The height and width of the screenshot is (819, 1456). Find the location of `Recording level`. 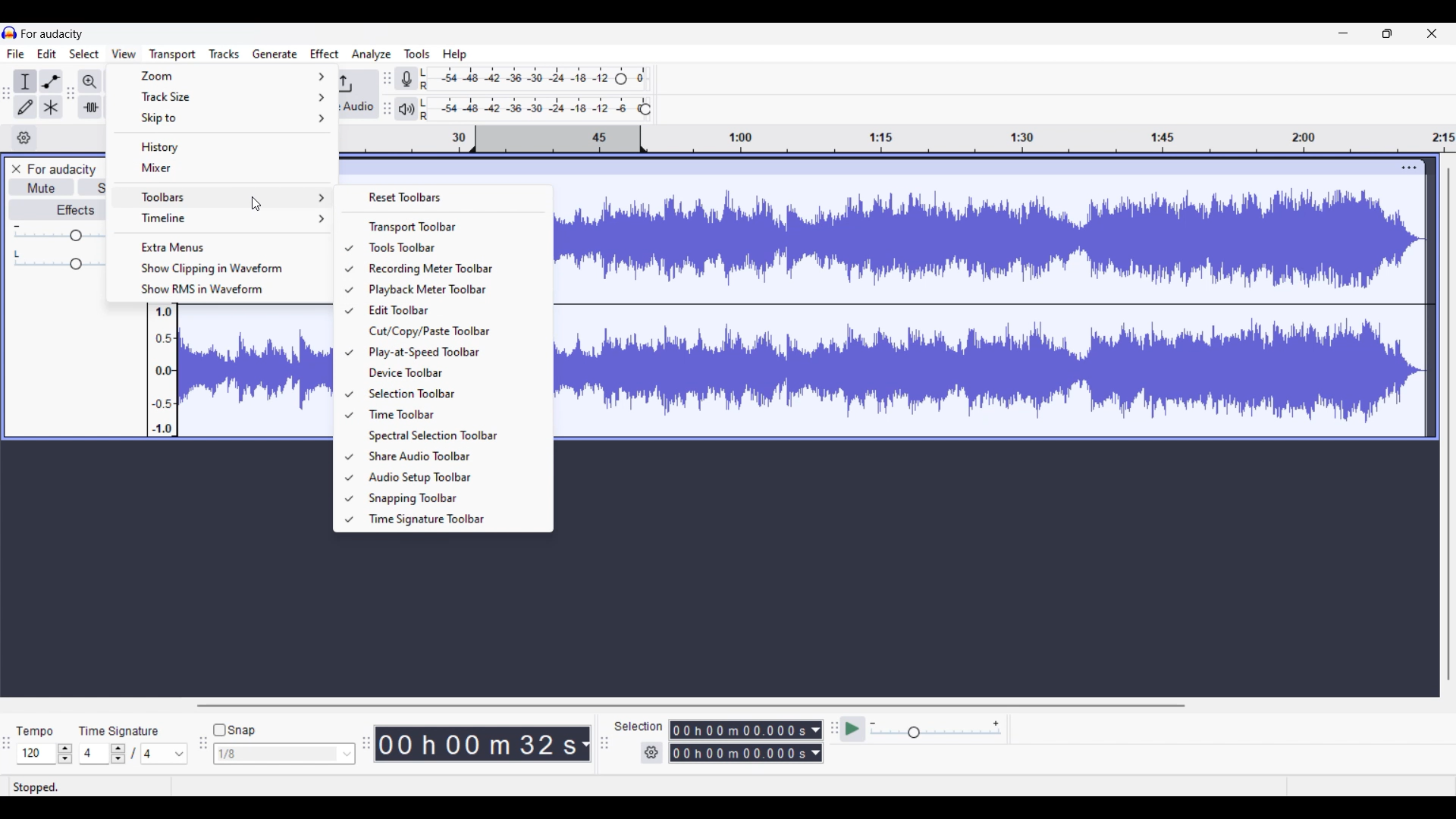

Recording level is located at coordinates (516, 79).